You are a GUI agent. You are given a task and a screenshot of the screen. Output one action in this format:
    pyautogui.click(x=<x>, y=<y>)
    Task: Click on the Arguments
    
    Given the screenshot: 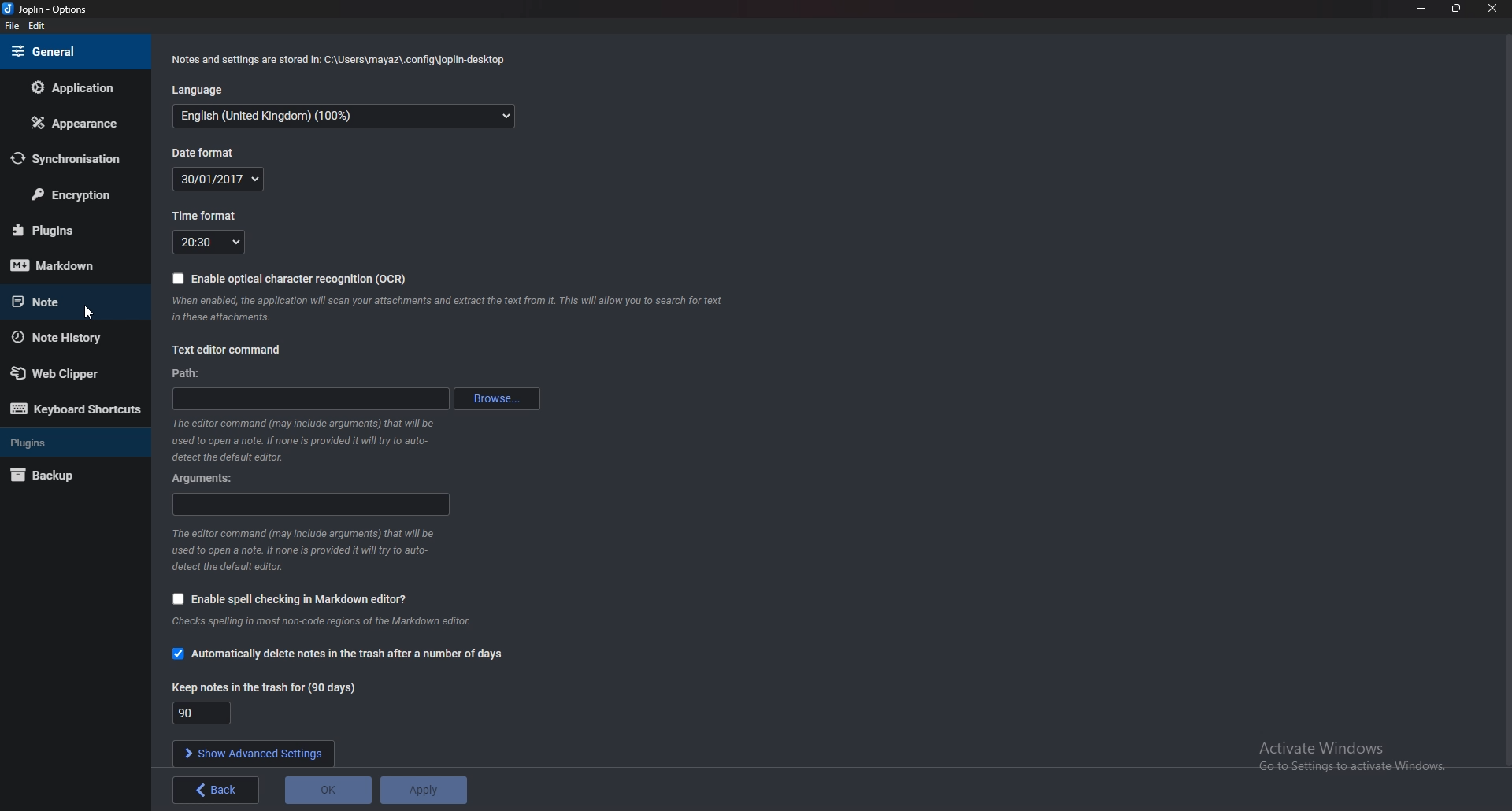 What is the action you would take?
    pyautogui.click(x=311, y=506)
    